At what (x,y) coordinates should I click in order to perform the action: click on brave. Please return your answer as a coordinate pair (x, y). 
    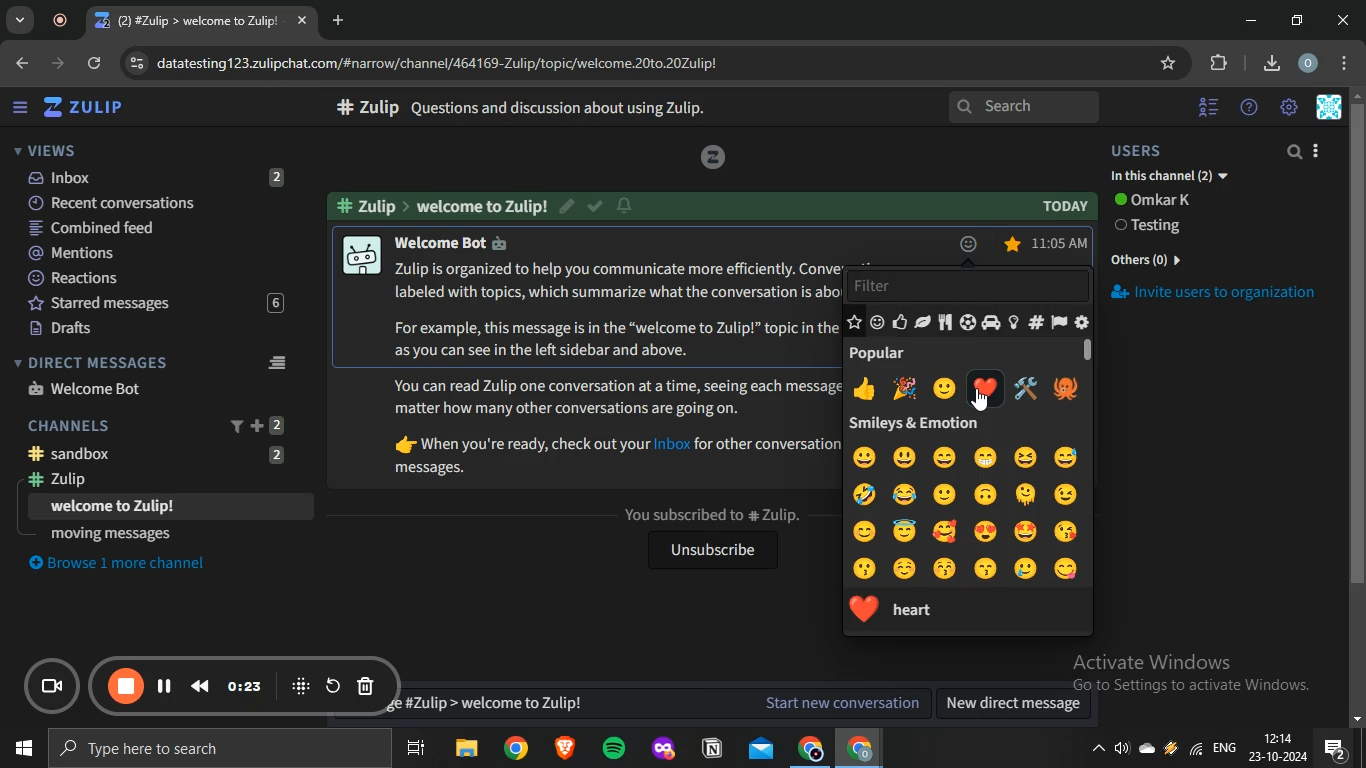
    Looking at the image, I should click on (563, 750).